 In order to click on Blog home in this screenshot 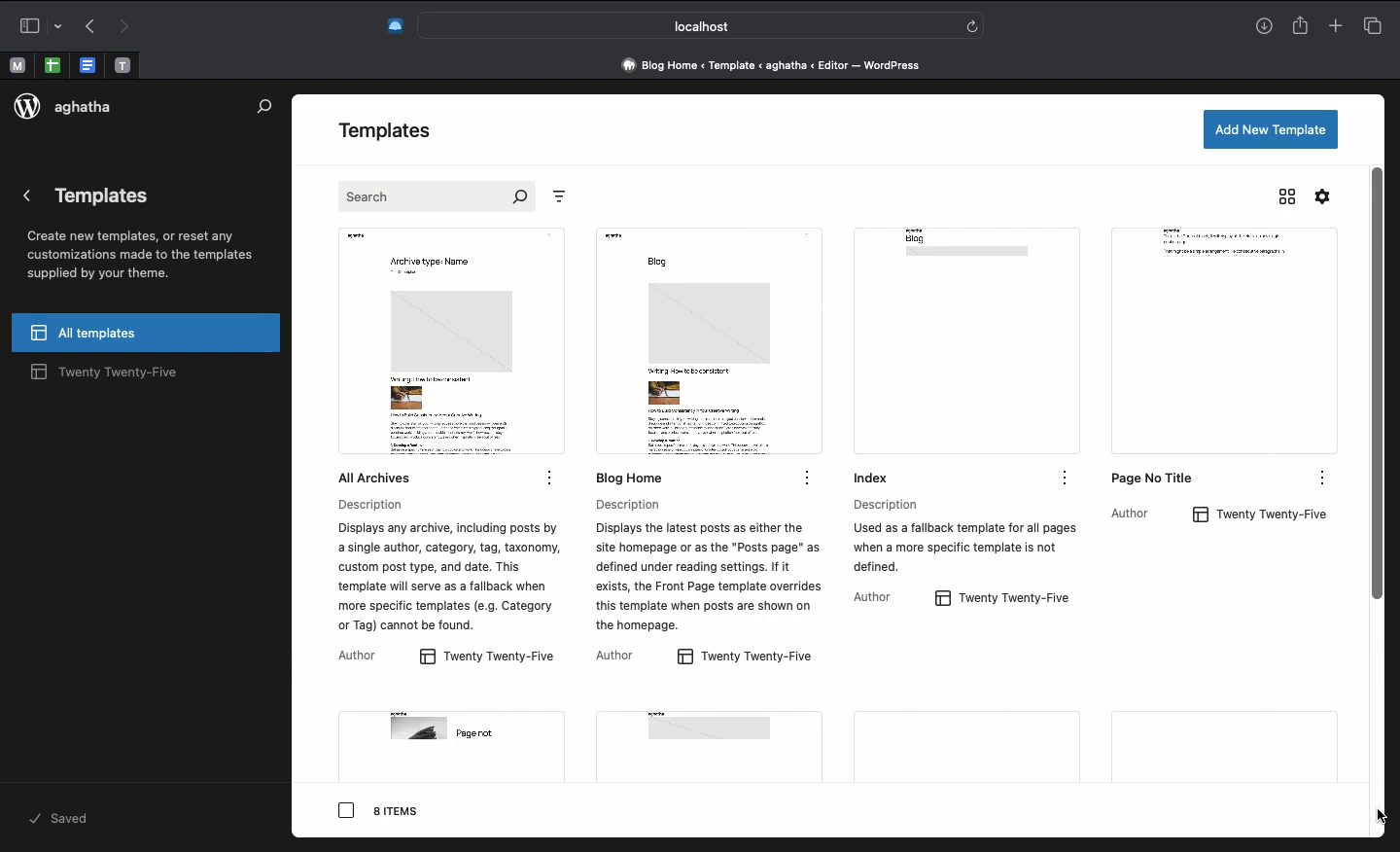, I will do `click(703, 363)`.